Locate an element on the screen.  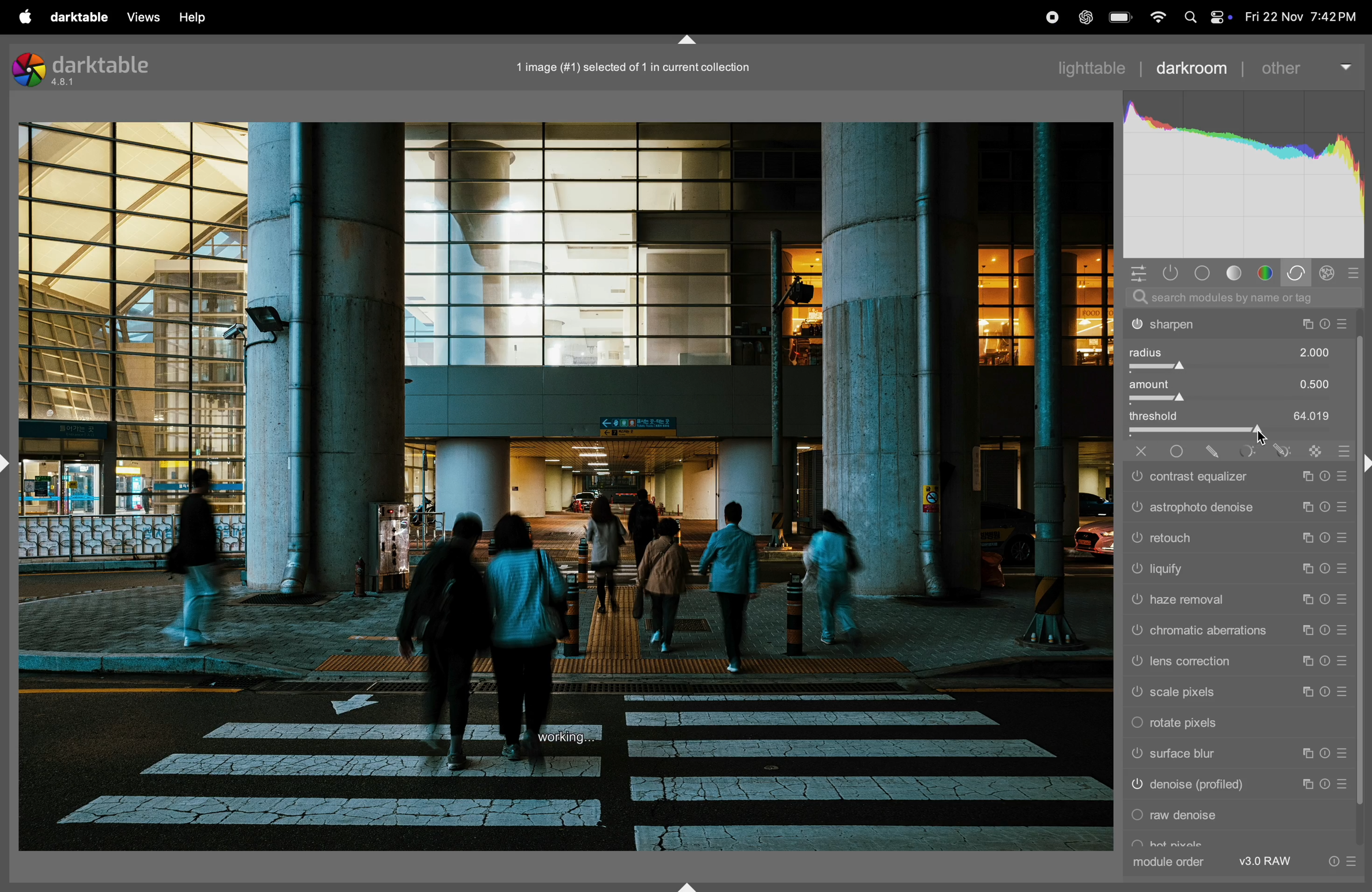
shartpen is located at coordinates (1239, 325).